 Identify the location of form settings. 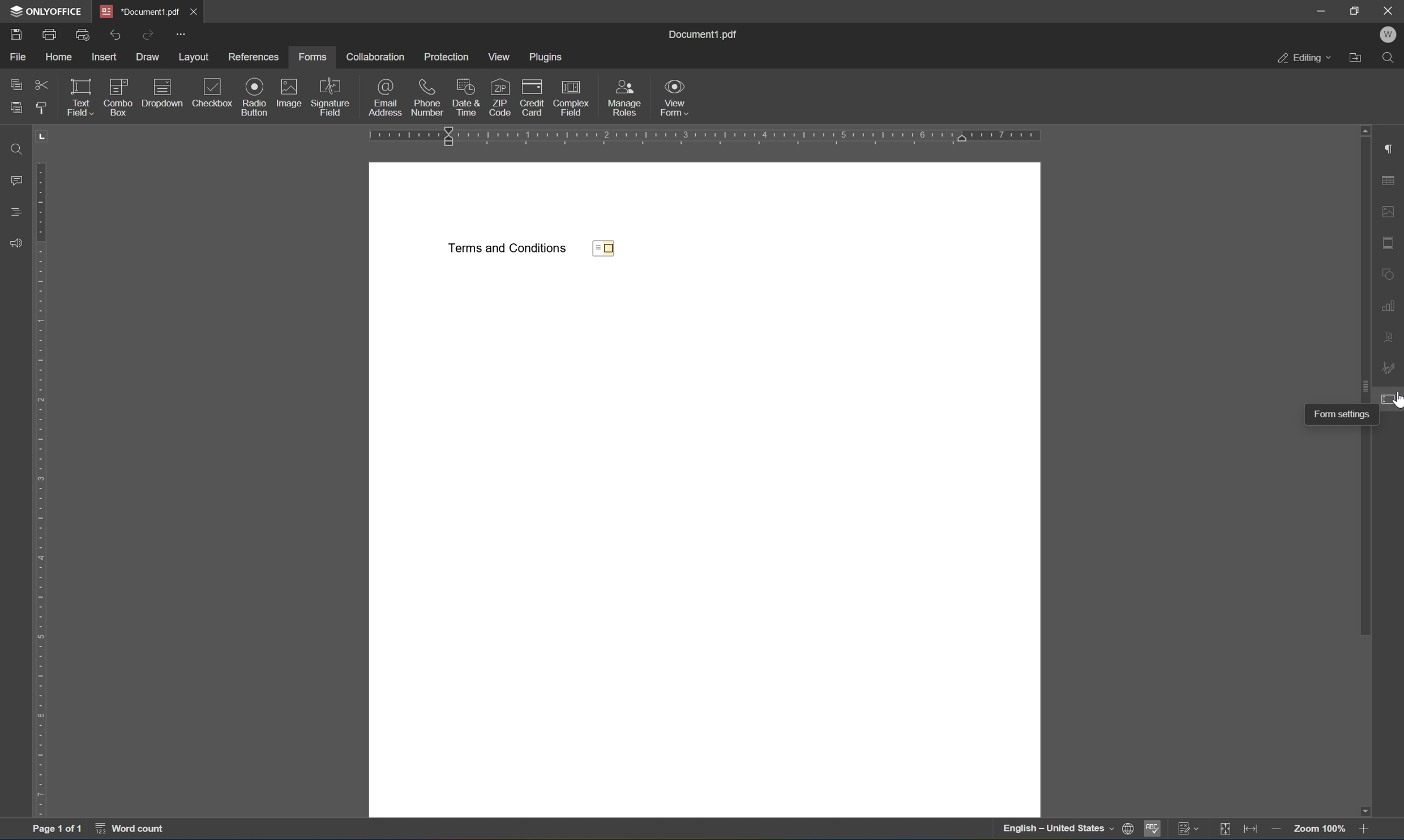
(1388, 402).